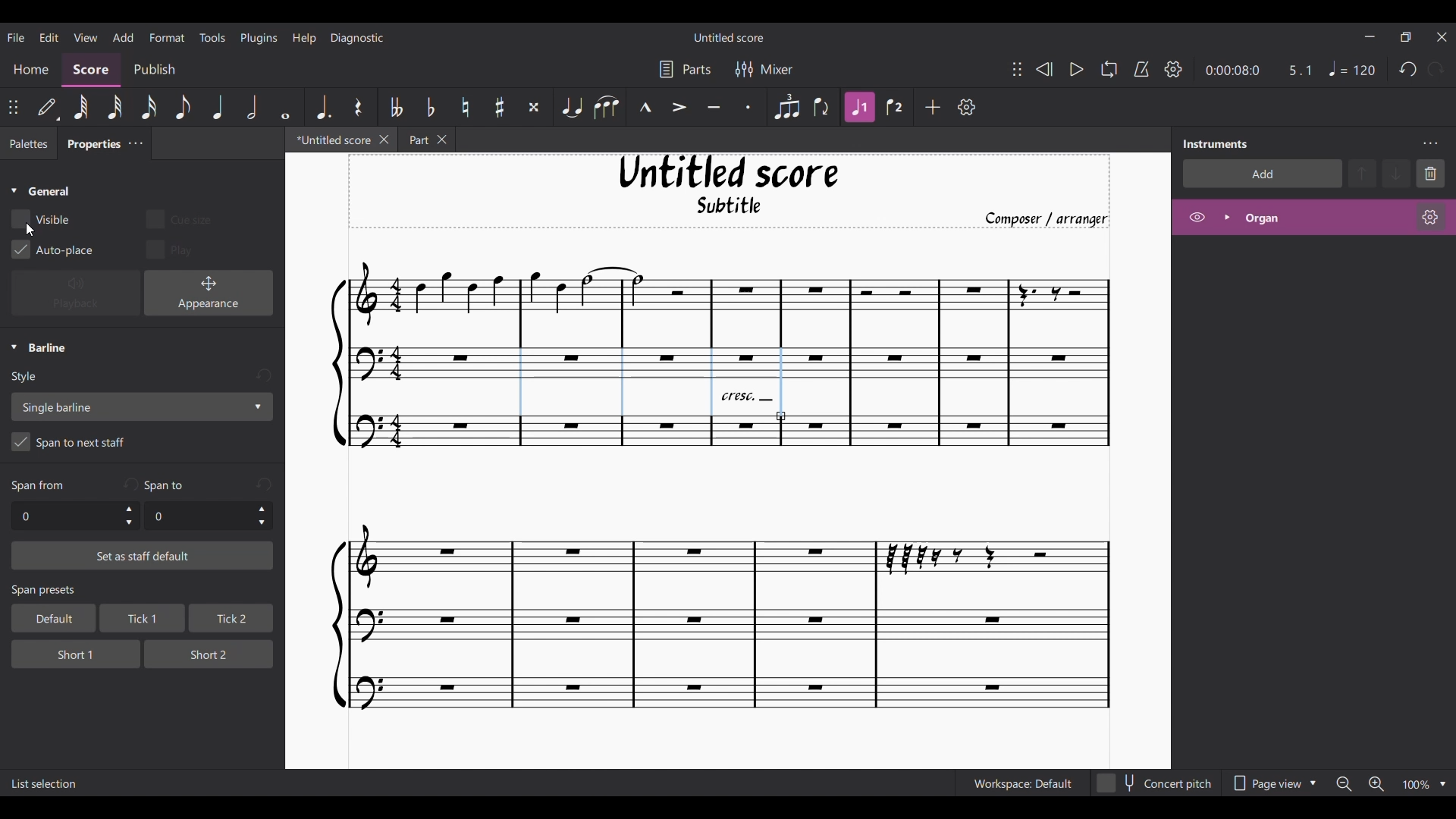 This screenshot has height=819, width=1456. Describe the element at coordinates (27, 378) in the screenshot. I see `Indicates input for Style` at that location.